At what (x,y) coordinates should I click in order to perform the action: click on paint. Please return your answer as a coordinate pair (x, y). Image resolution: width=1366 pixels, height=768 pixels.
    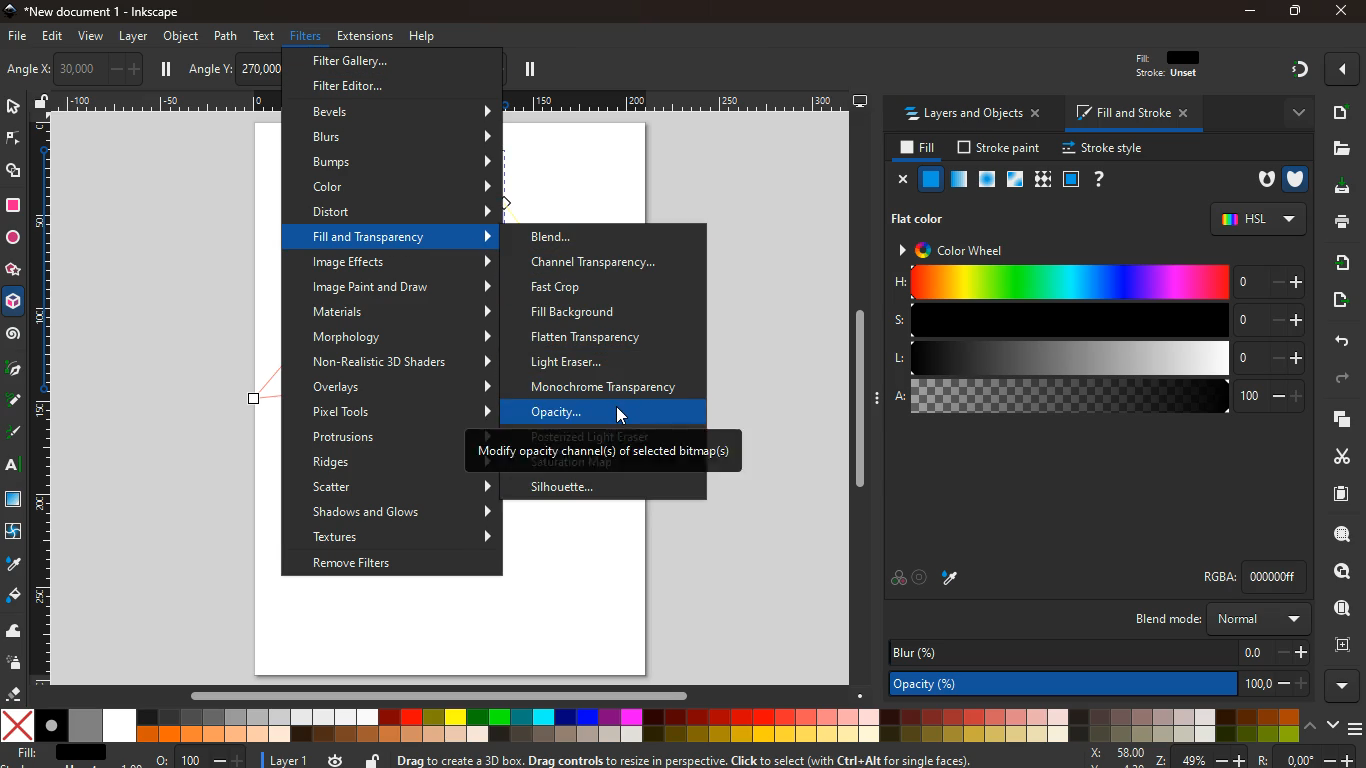
    Looking at the image, I should click on (13, 597).